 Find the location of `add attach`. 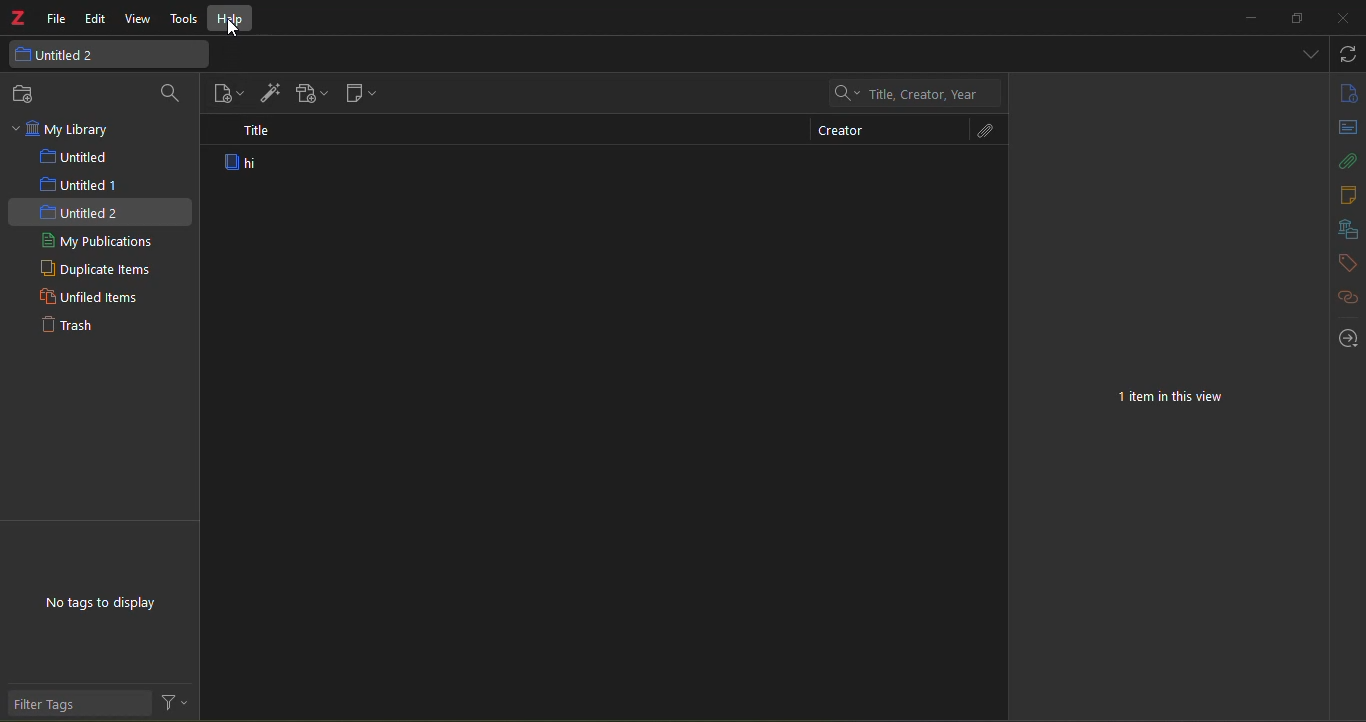

add attach is located at coordinates (312, 93).